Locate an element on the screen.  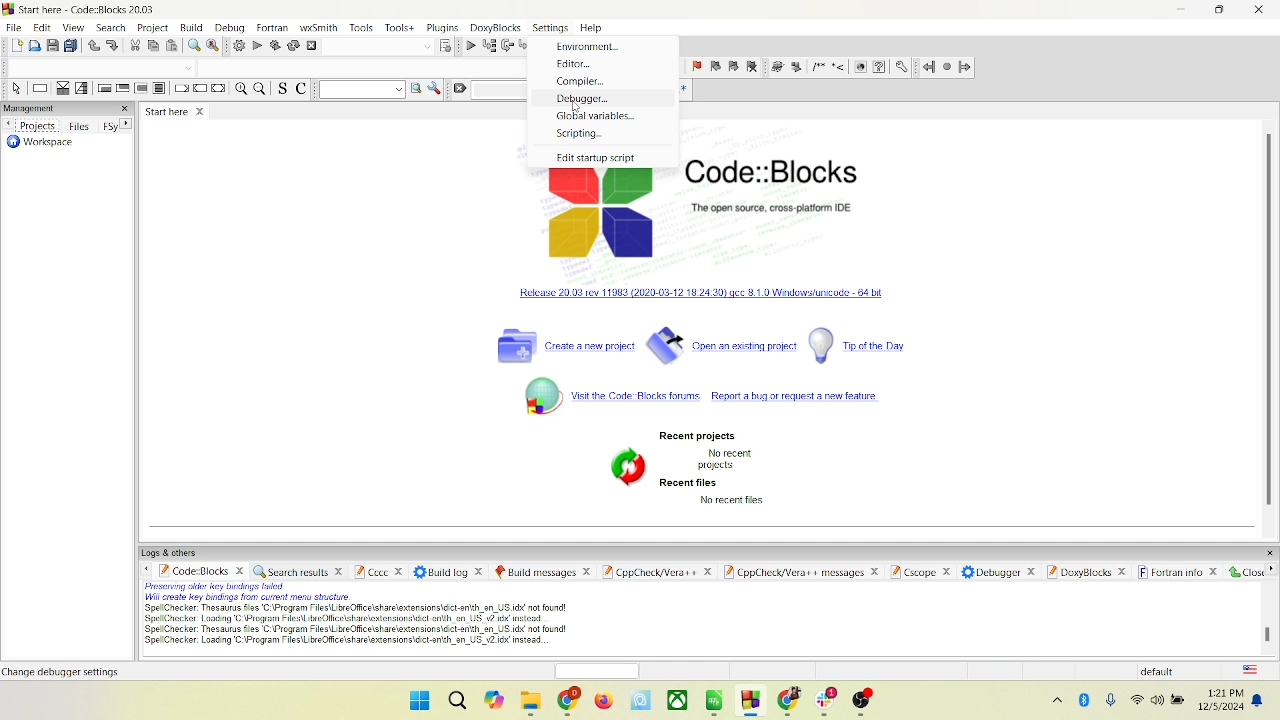
doxyblocks is located at coordinates (496, 27).